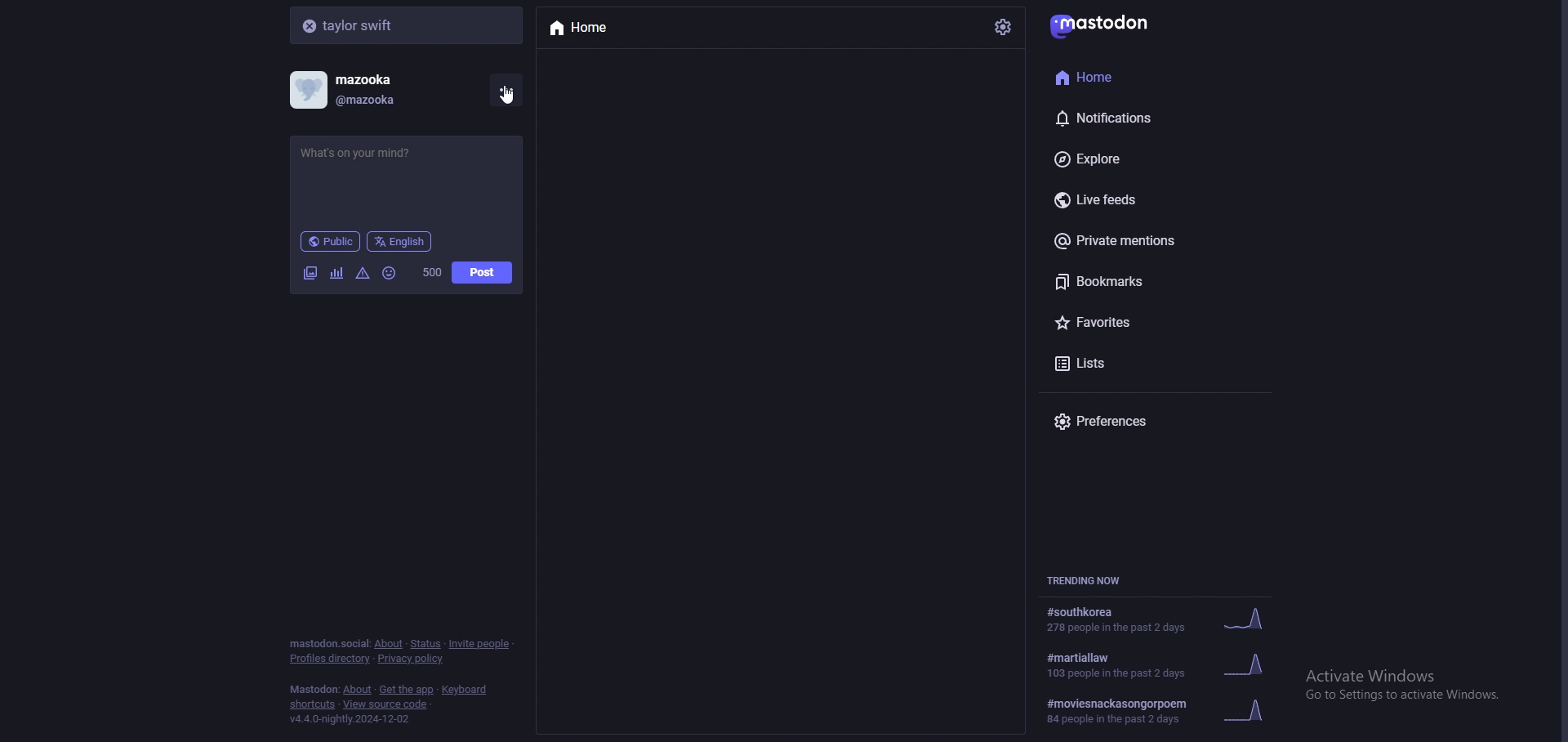 This screenshot has height=742, width=1568. I want to click on get the app, so click(405, 689).